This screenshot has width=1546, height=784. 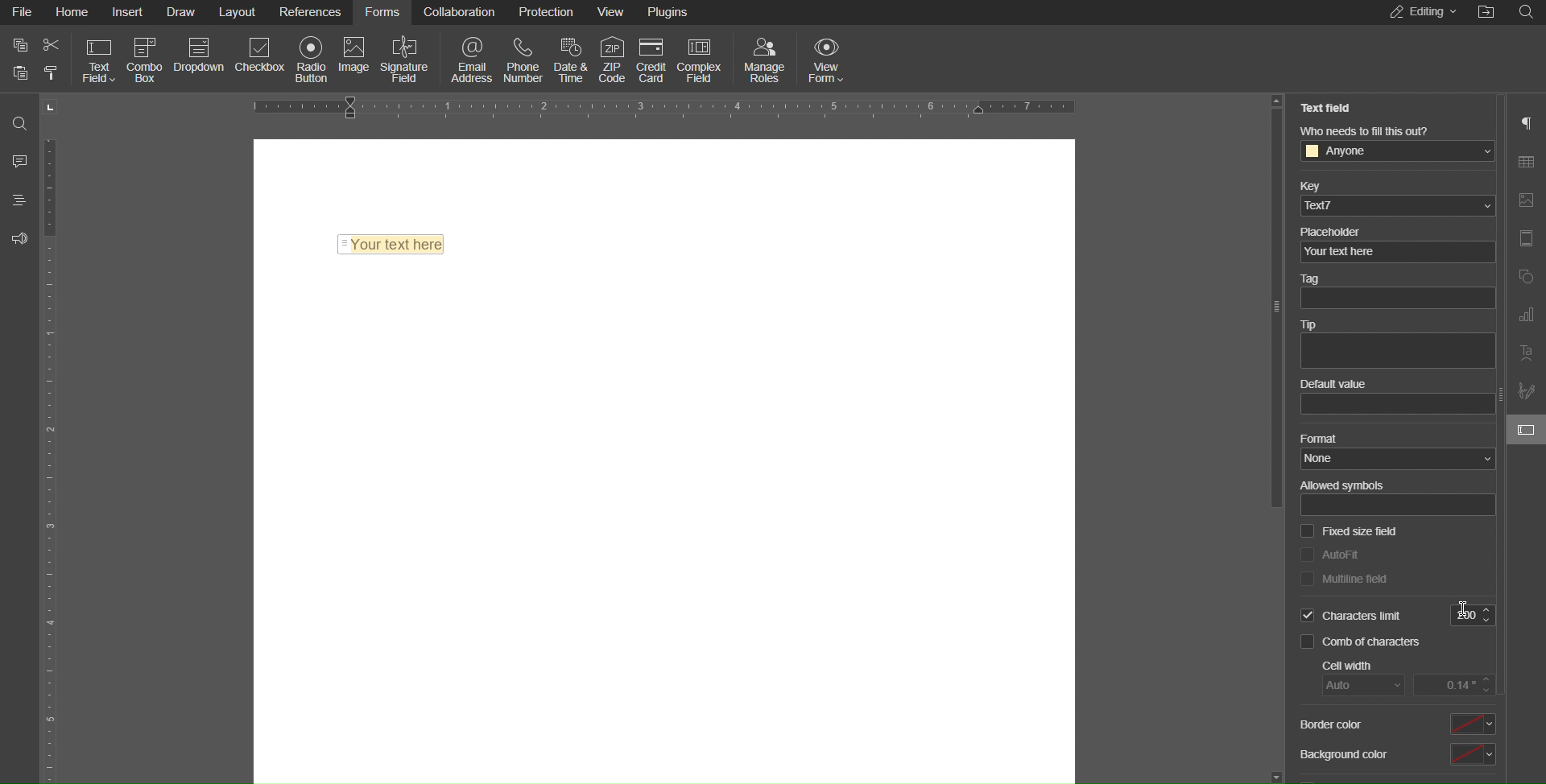 What do you see at coordinates (674, 10) in the screenshot?
I see `Plugins` at bounding box center [674, 10].